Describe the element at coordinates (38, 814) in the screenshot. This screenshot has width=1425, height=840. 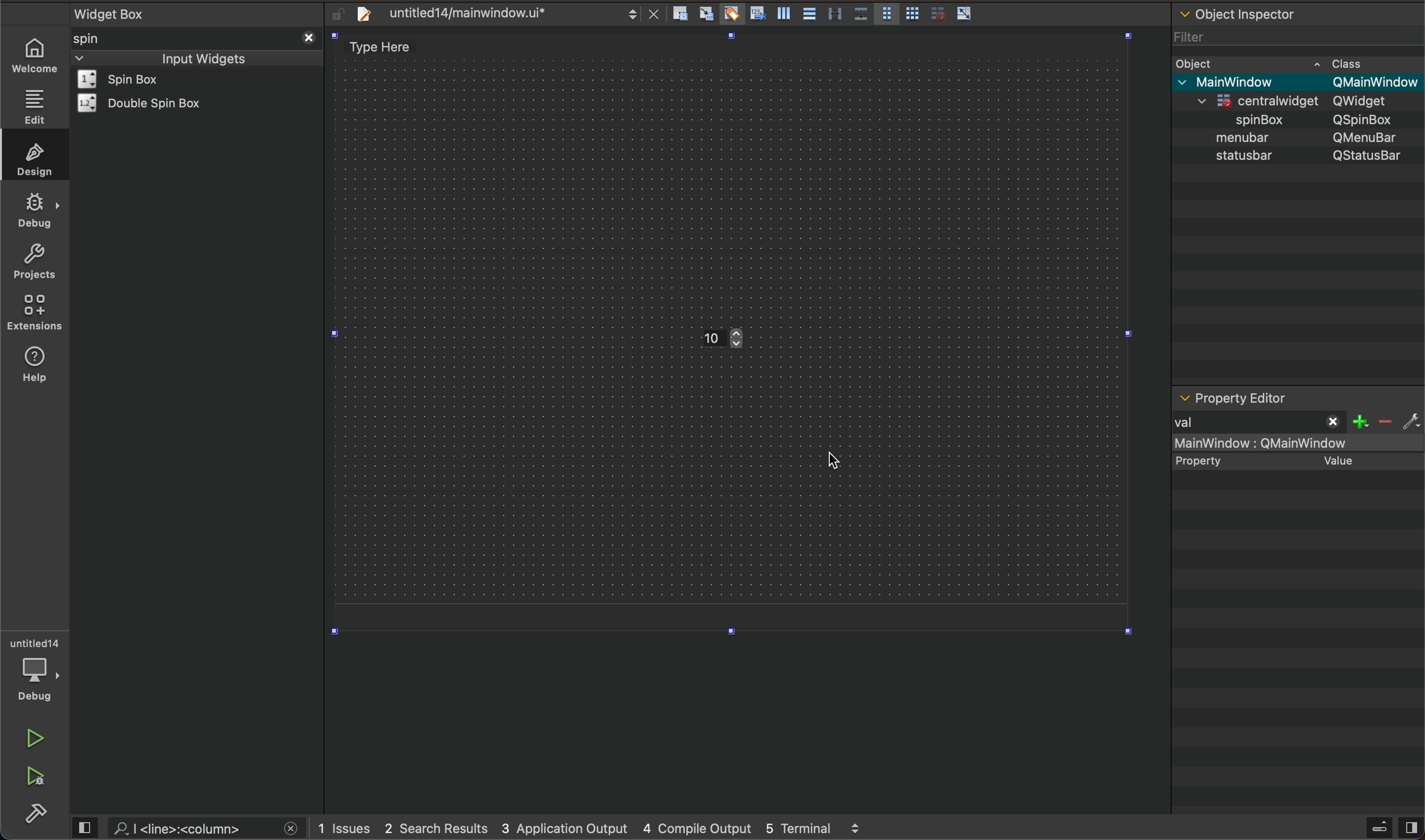
I see `build` at that location.